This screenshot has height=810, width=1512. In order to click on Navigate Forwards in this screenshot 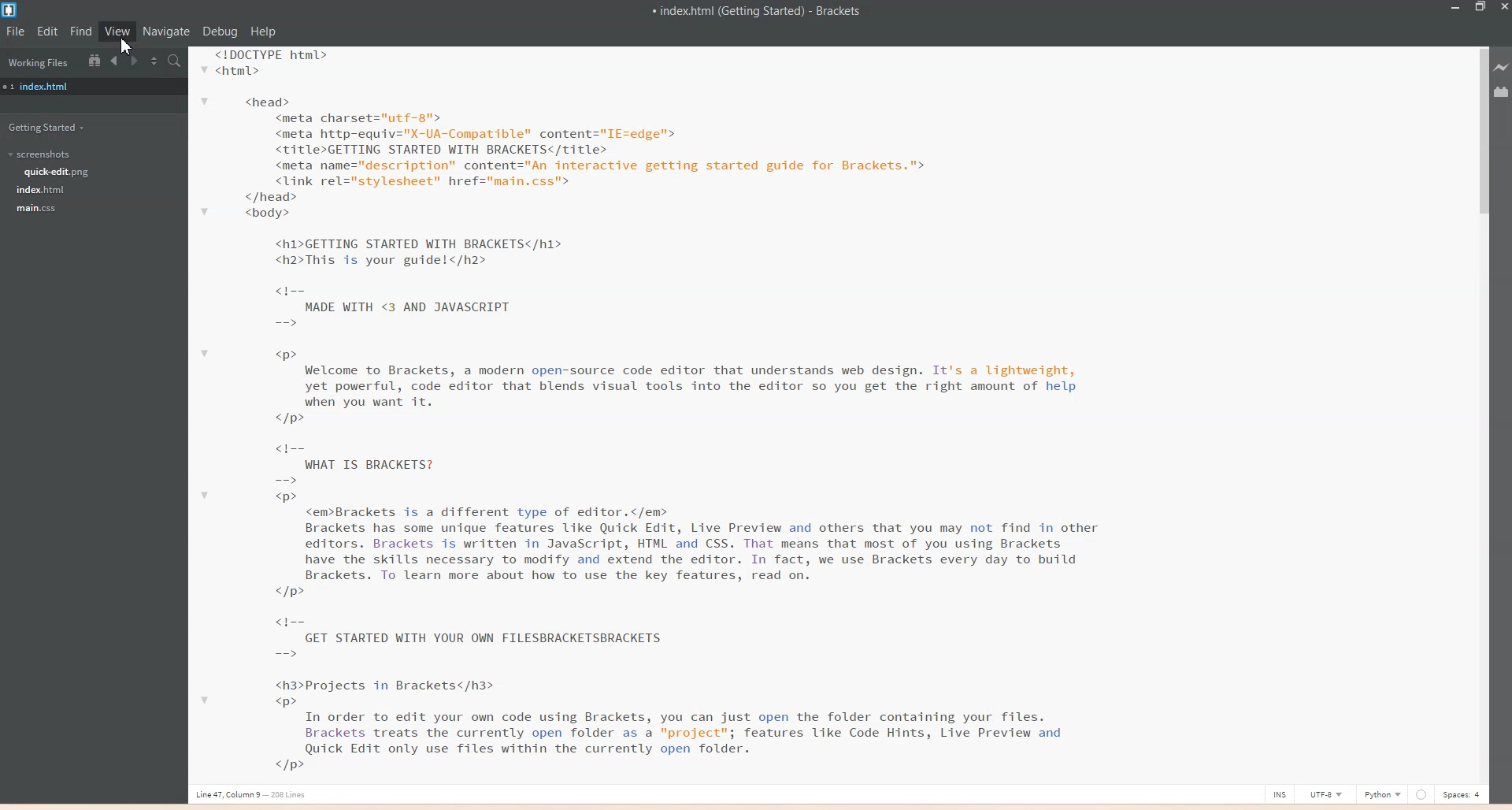, I will do `click(135, 61)`.